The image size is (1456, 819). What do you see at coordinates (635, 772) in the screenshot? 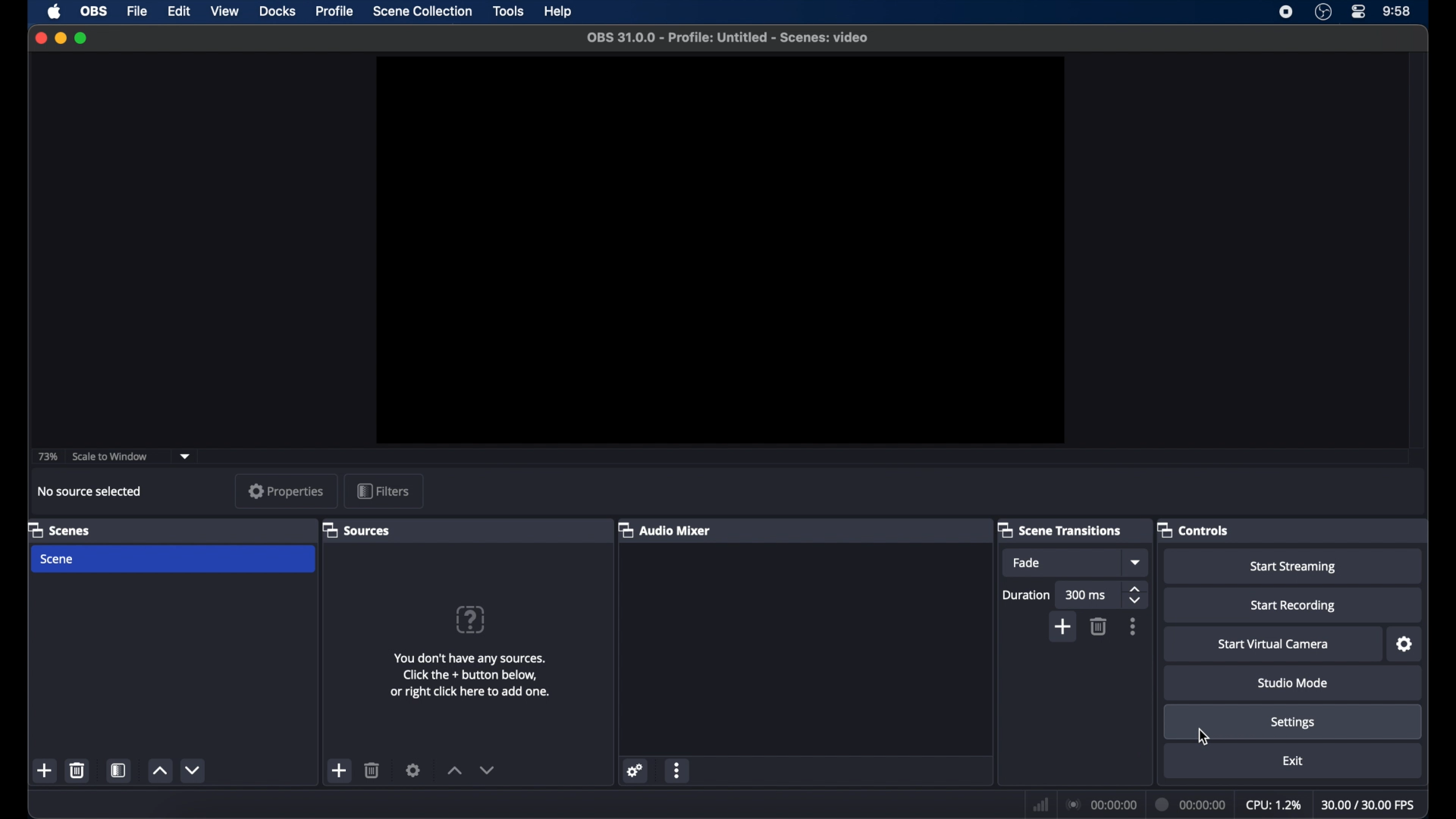
I see `settings` at bounding box center [635, 772].